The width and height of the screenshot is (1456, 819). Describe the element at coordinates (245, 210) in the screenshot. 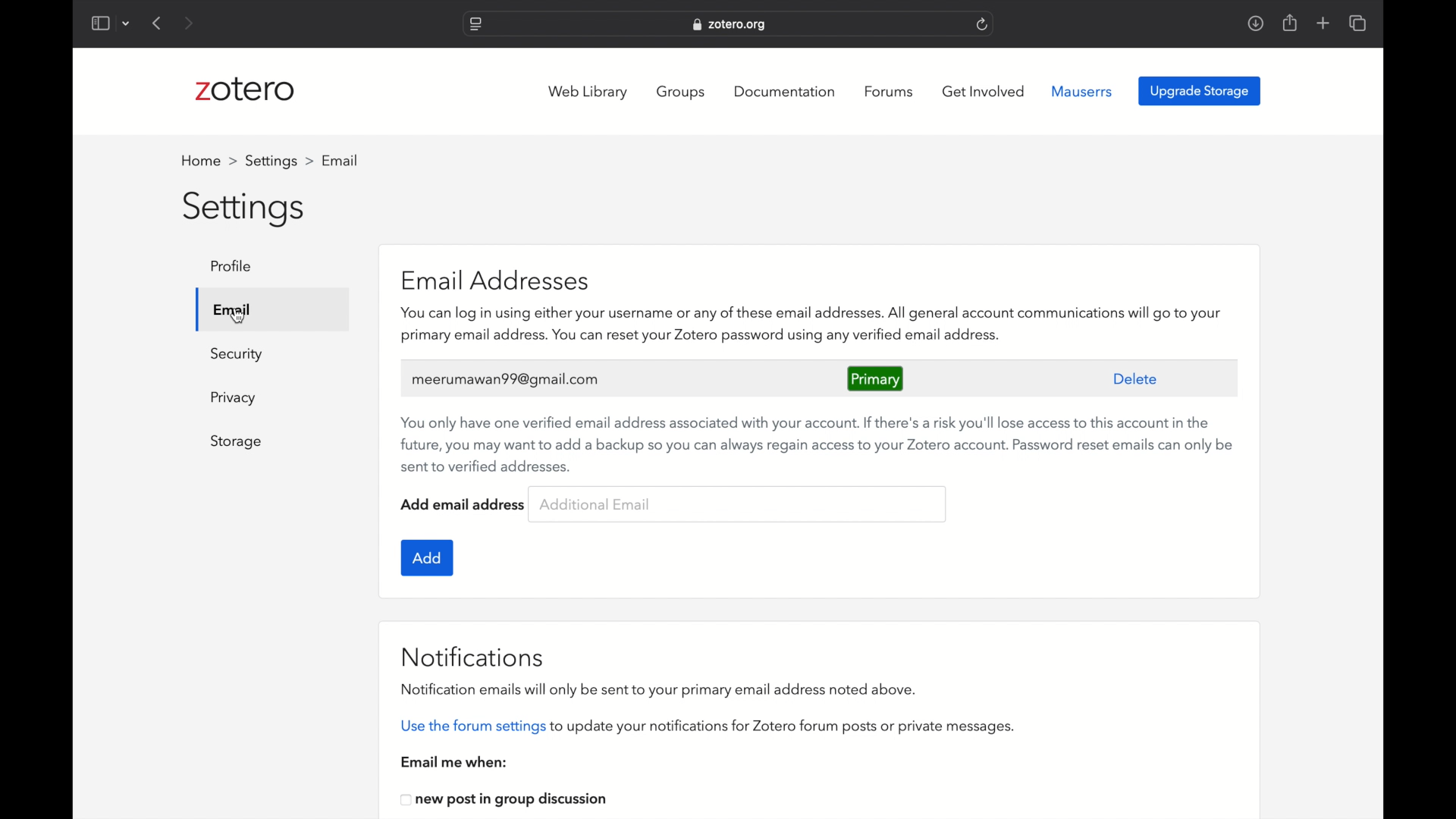

I see `settings` at that location.